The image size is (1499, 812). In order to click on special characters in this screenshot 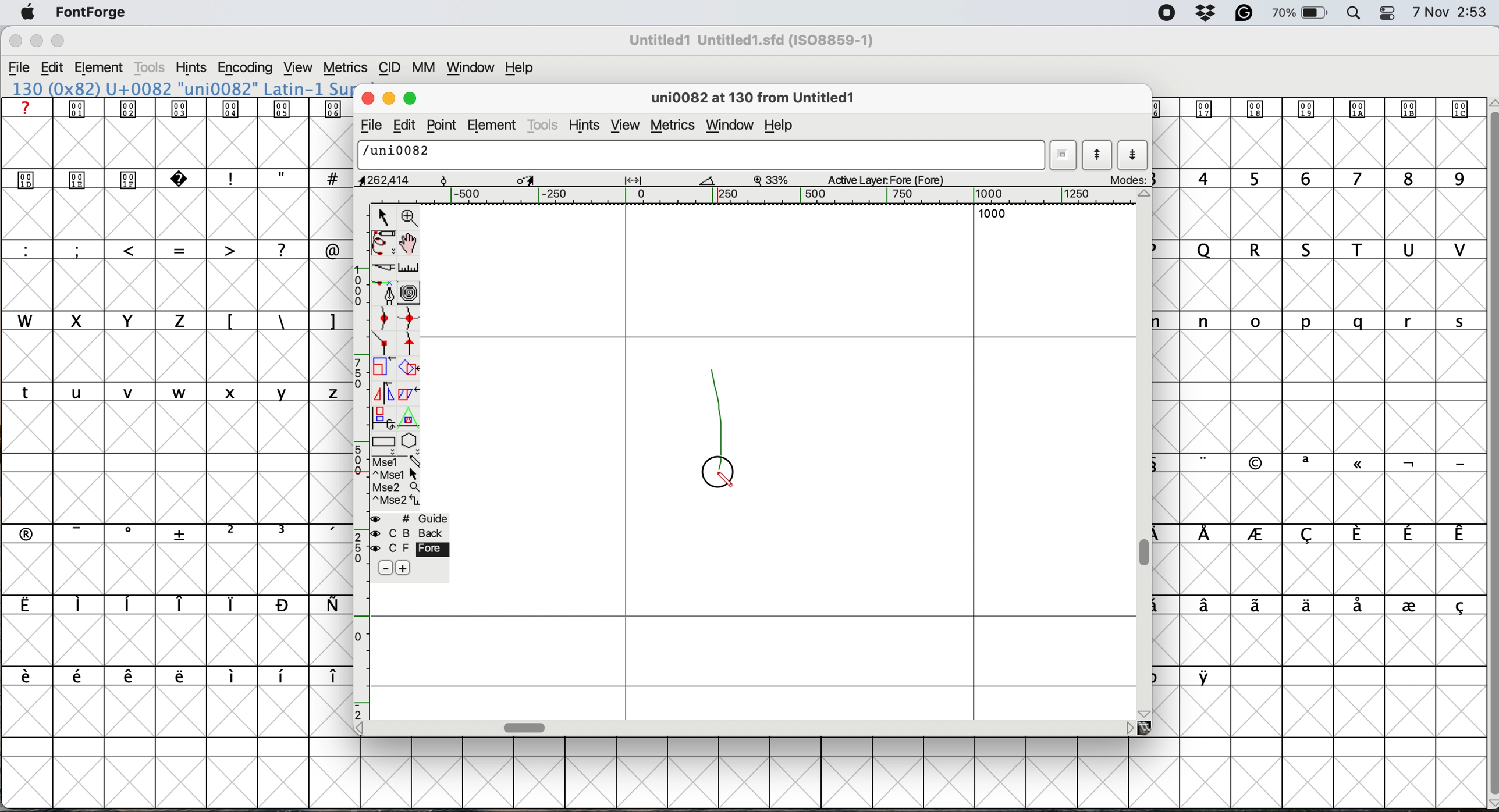, I will do `click(169, 249)`.